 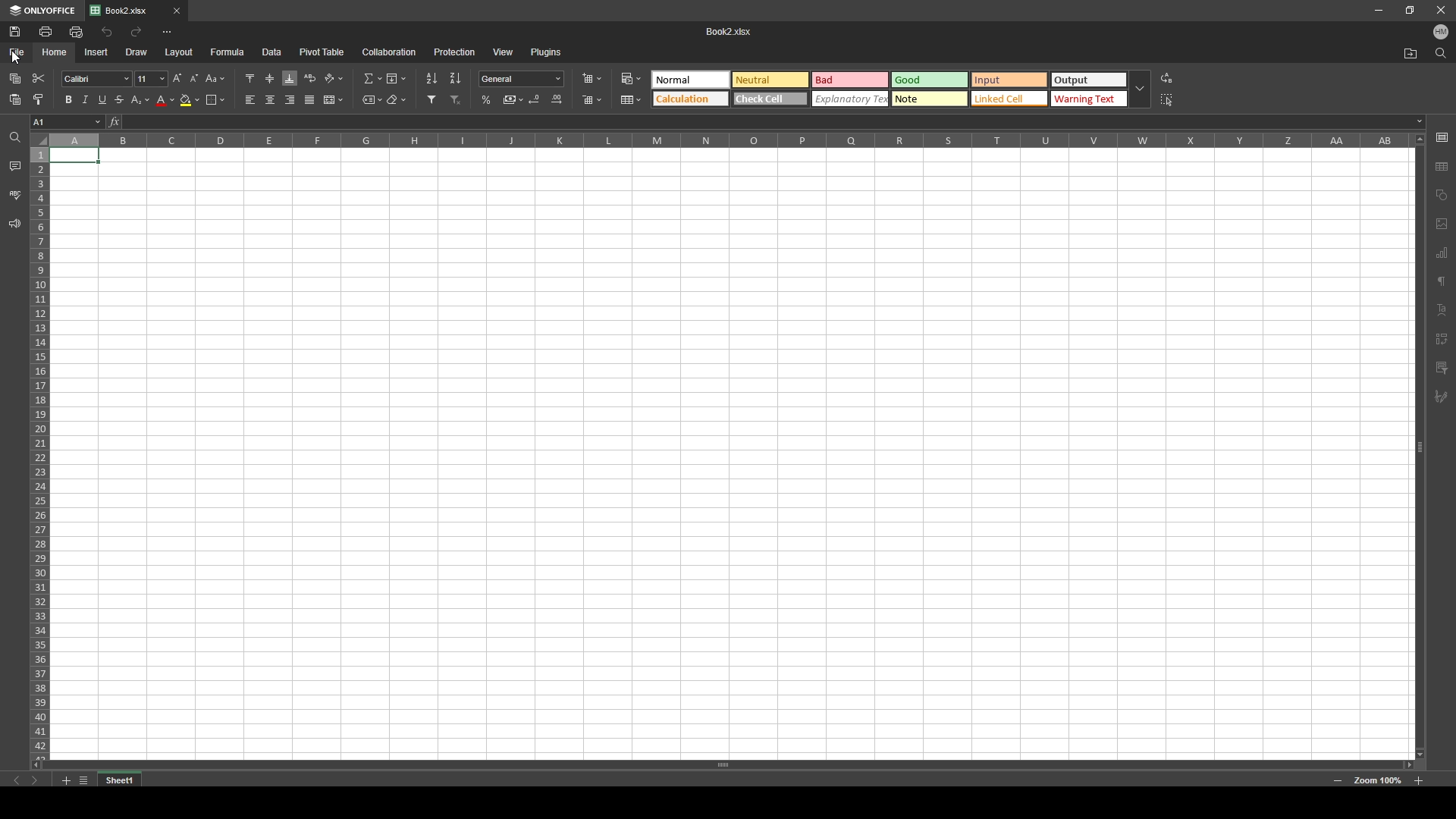 What do you see at coordinates (19, 52) in the screenshot?
I see `file` at bounding box center [19, 52].